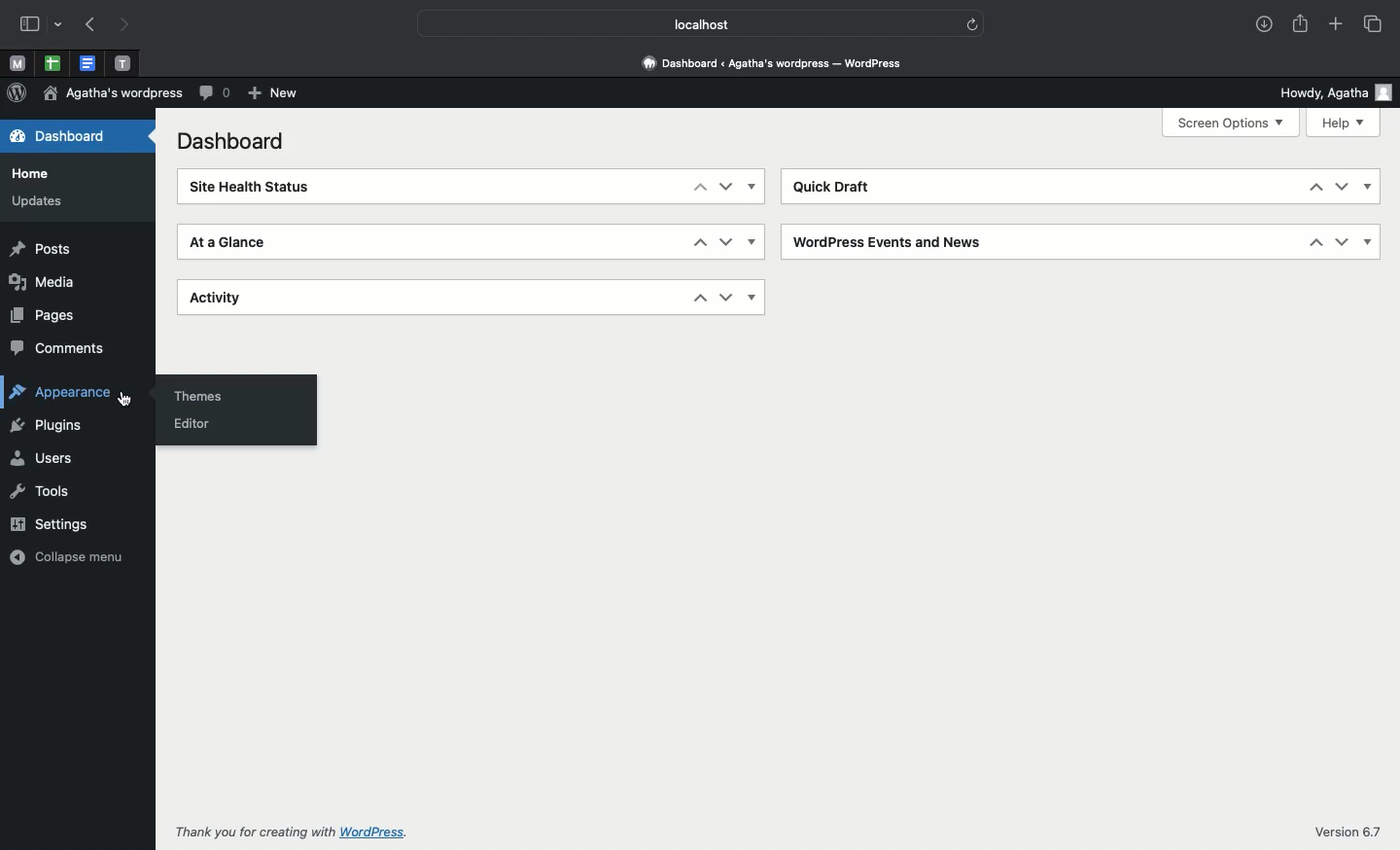 The height and width of the screenshot is (850, 1400). What do you see at coordinates (47, 524) in the screenshot?
I see `Settings` at bounding box center [47, 524].